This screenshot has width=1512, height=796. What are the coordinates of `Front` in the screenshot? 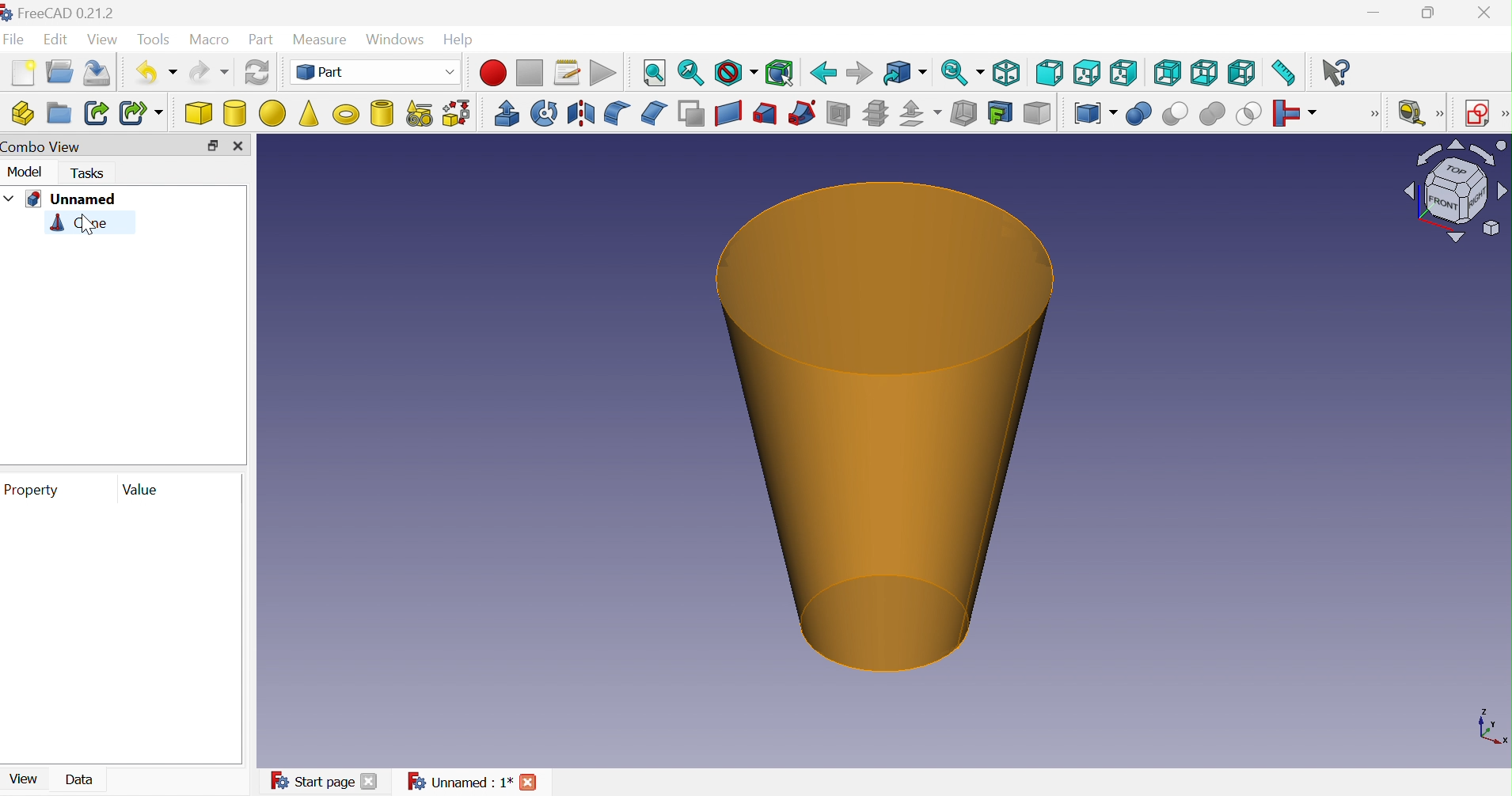 It's located at (1050, 74).